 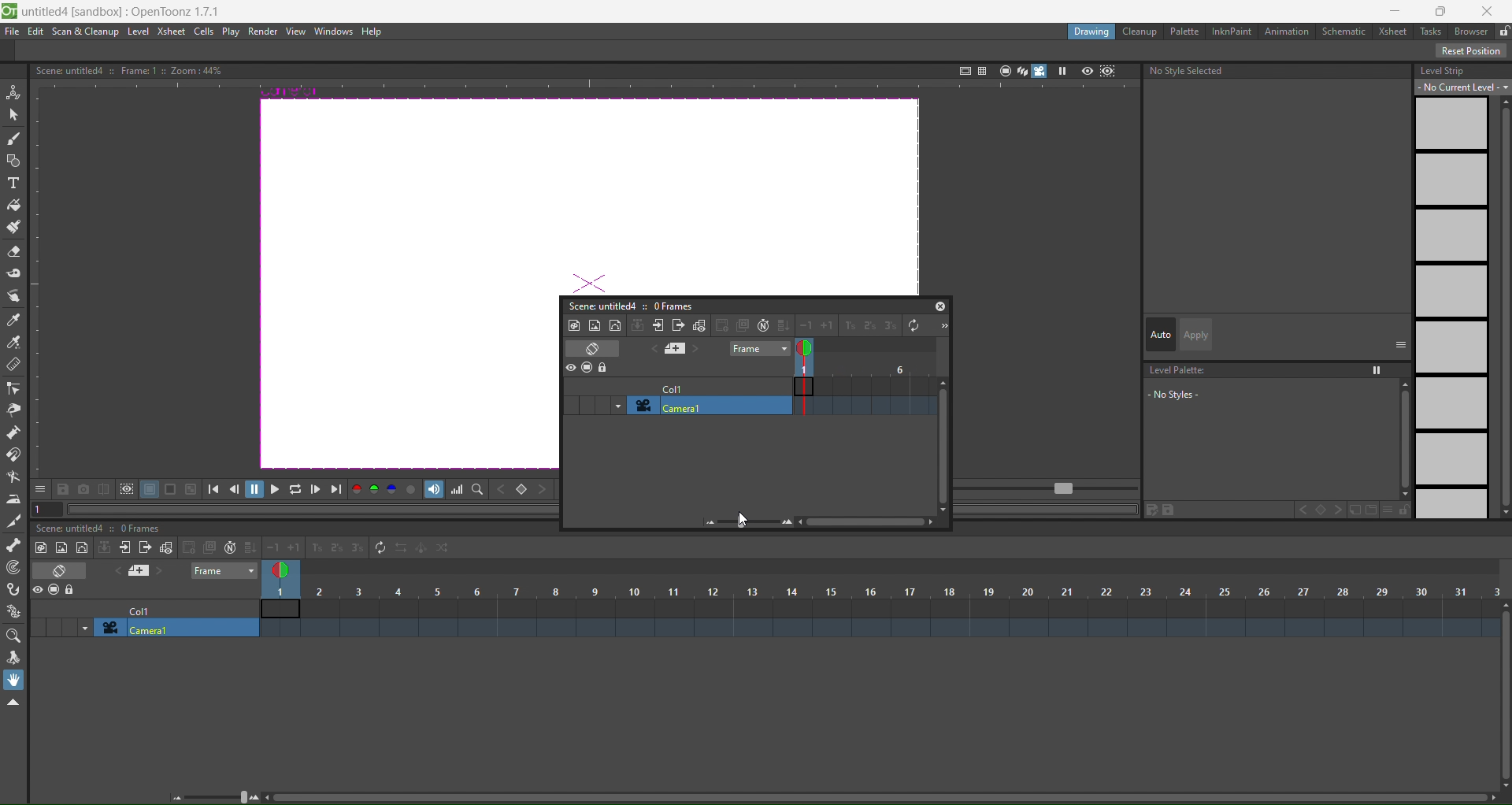 I want to click on close sub xsheet, so click(x=124, y=547).